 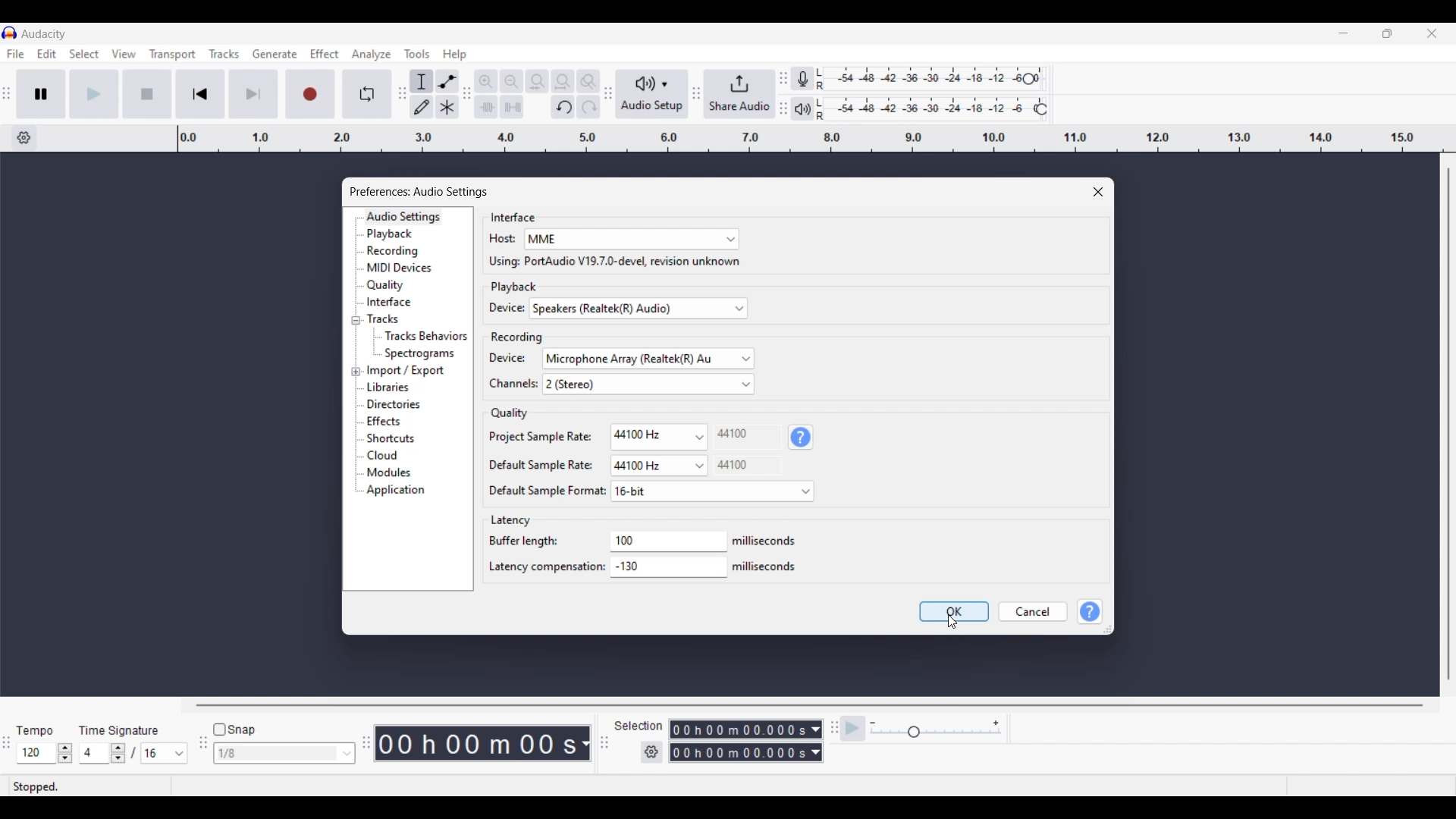 I want to click on Undo, so click(x=563, y=107).